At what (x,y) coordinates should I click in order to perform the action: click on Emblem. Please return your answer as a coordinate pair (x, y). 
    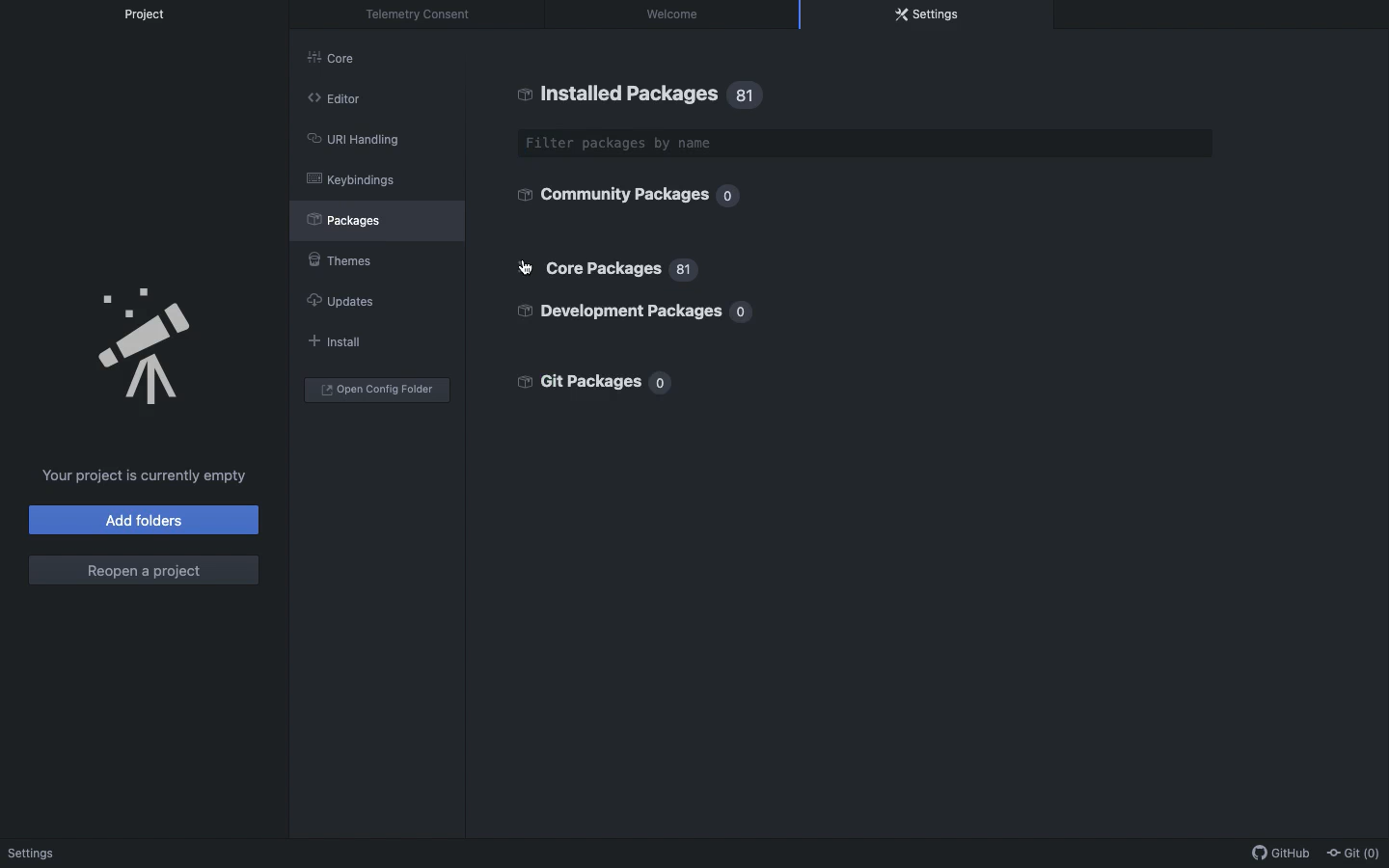
    Looking at the image, I should click on (148, 348).